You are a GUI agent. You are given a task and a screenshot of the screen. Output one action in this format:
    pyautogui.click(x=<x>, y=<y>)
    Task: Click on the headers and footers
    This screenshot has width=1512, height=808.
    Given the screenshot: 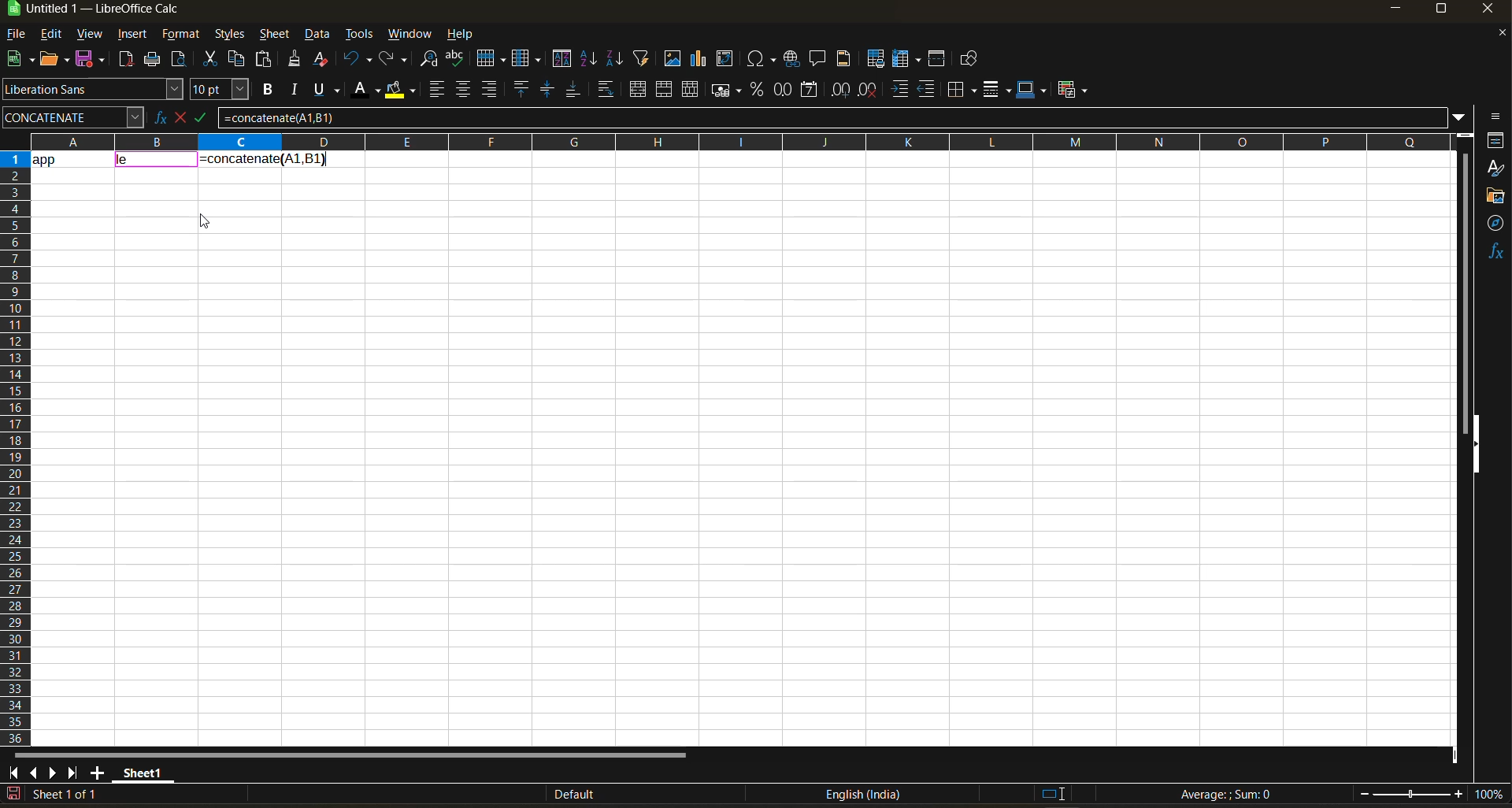 What is the action you would take?
    pyautogui.click(x=844, y=57)
    